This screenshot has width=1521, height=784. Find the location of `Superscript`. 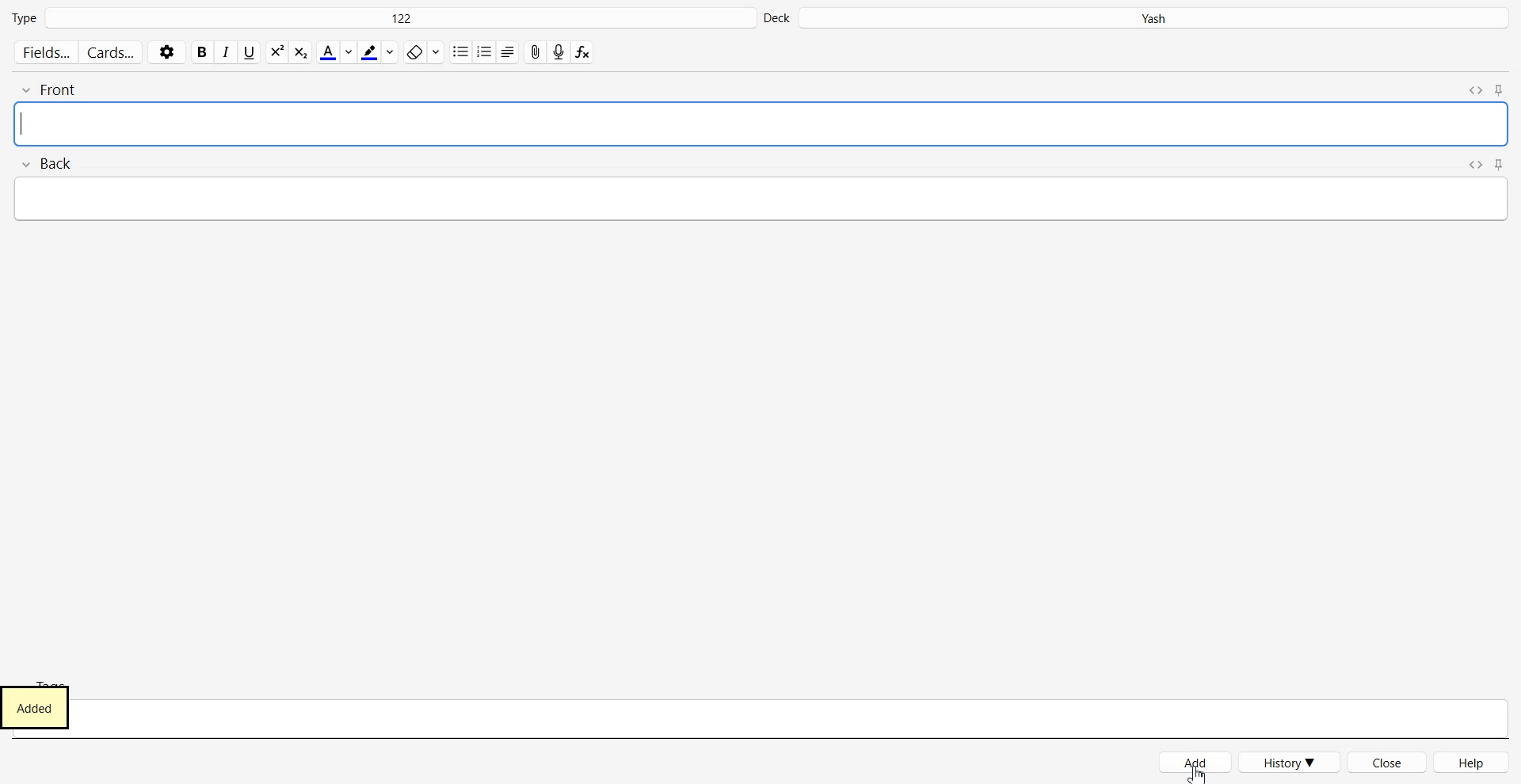

Superscript is located at coordinates (300, 52).